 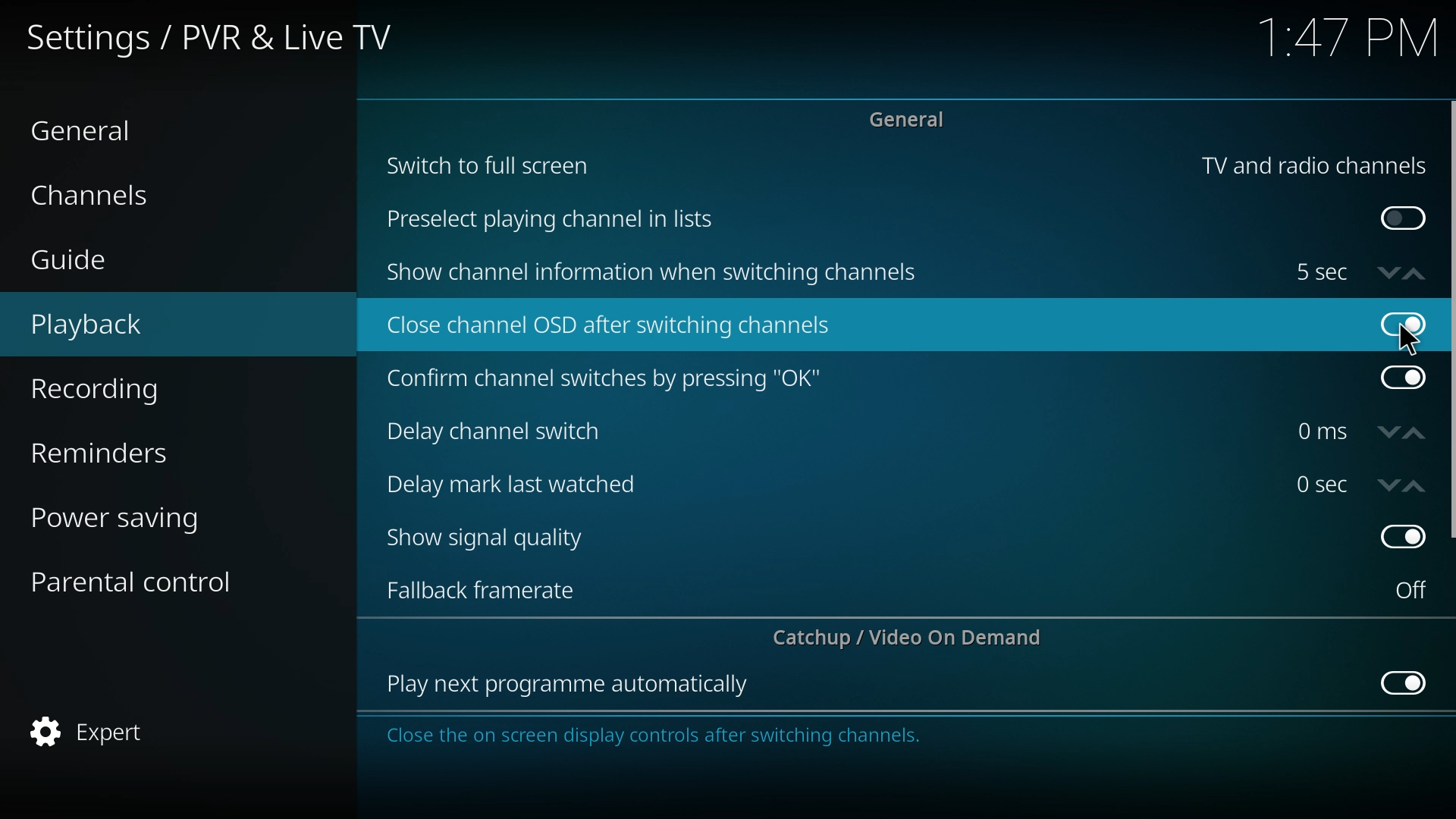 What do you see at coordinates (1409, 340) in the screenshot?
I see `cursor` at bounding box center [1409, 340].